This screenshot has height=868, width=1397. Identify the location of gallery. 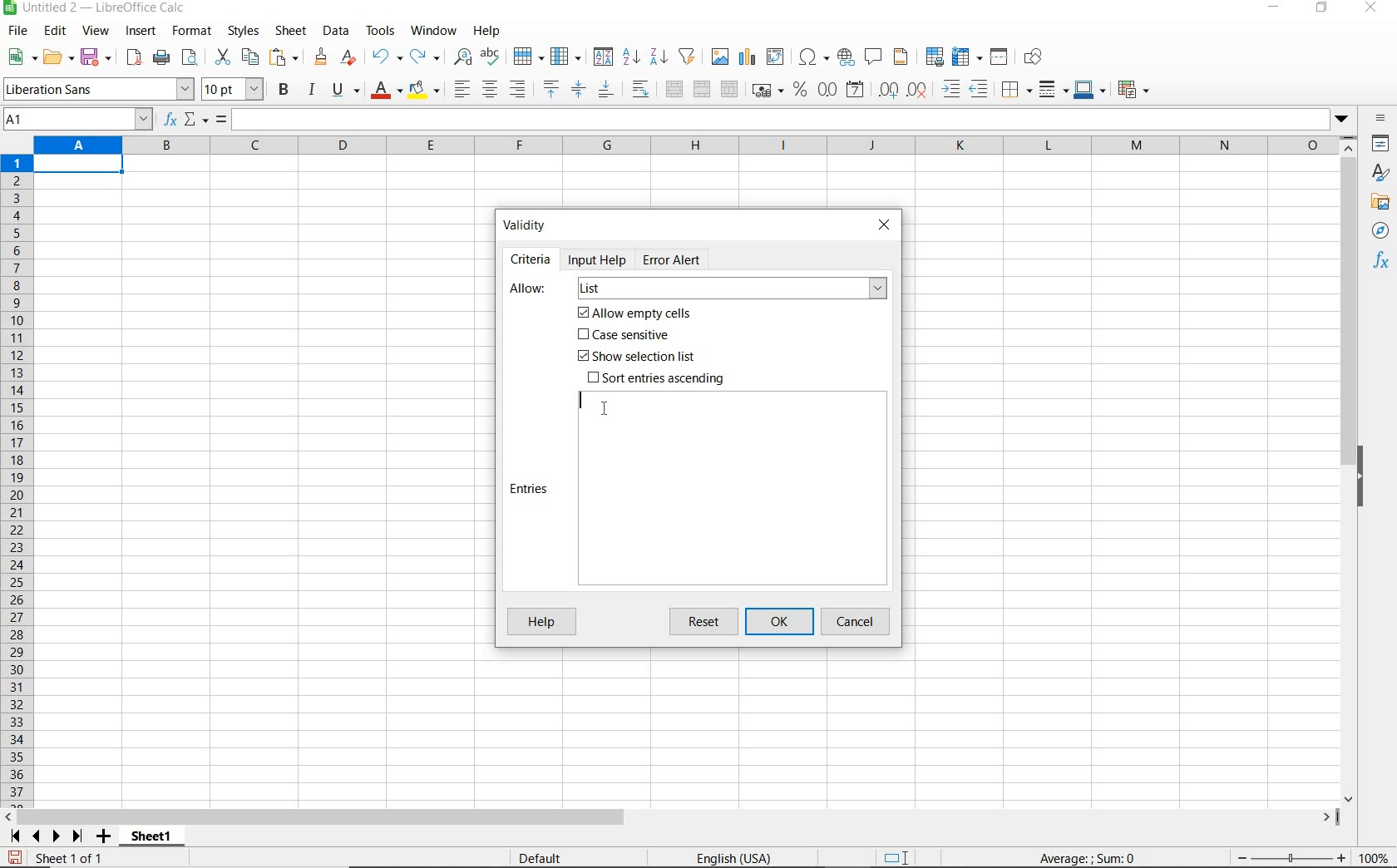
(1383, 203).